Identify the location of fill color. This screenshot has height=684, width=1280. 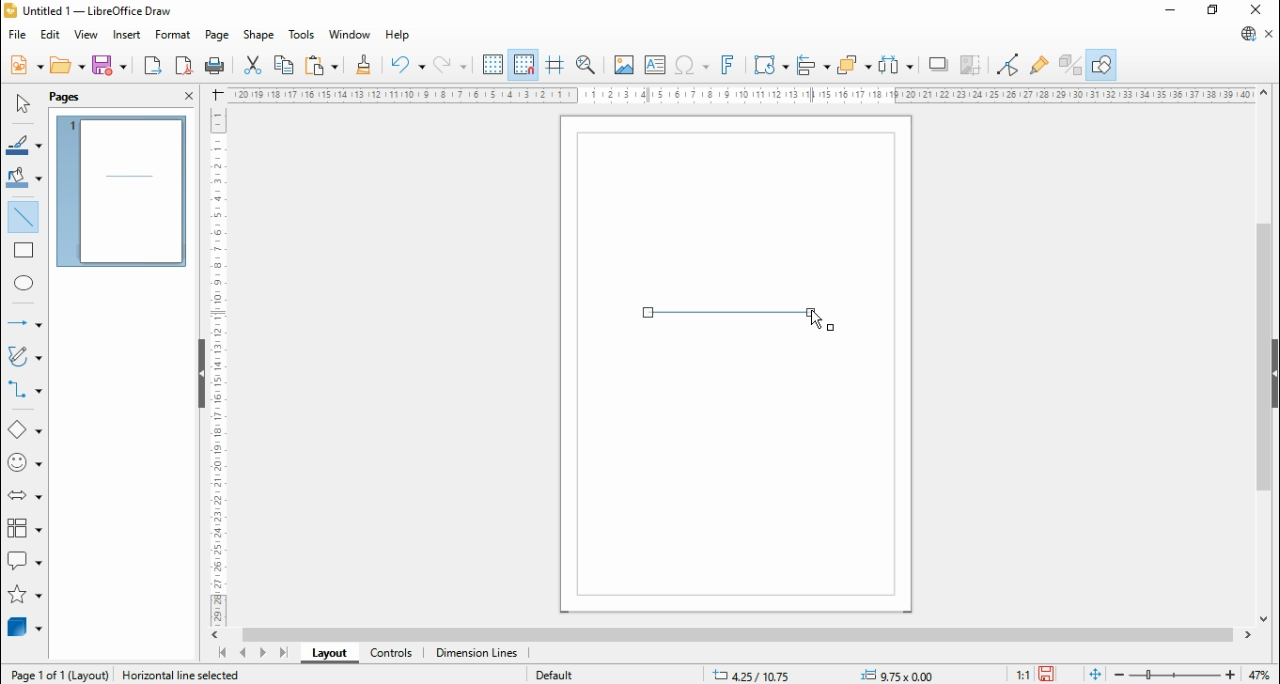
(24, 177).